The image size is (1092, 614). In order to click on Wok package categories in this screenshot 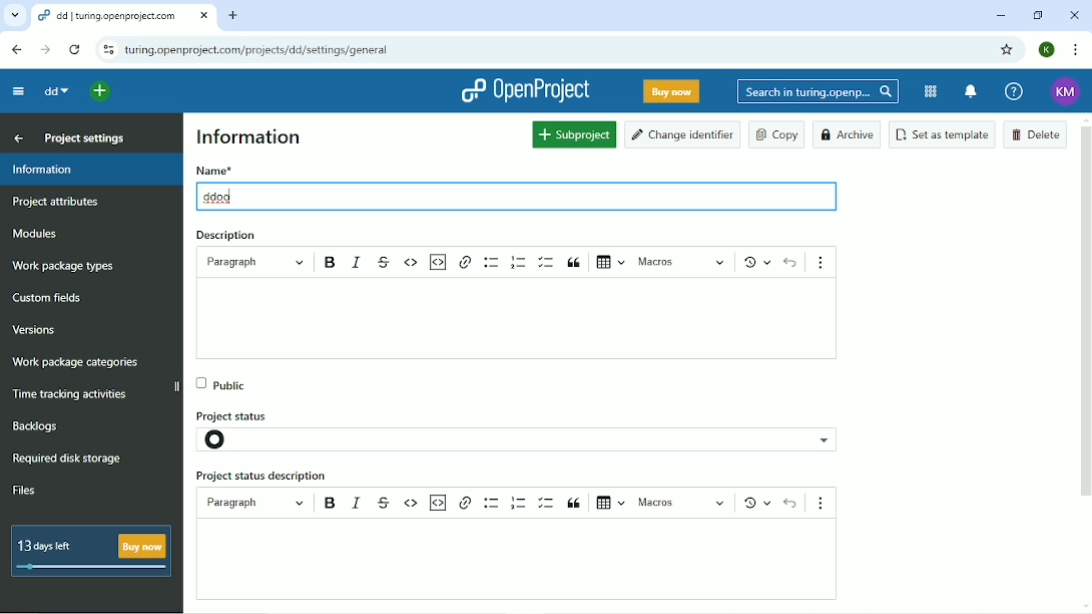, I will do `click(76, 363)`.